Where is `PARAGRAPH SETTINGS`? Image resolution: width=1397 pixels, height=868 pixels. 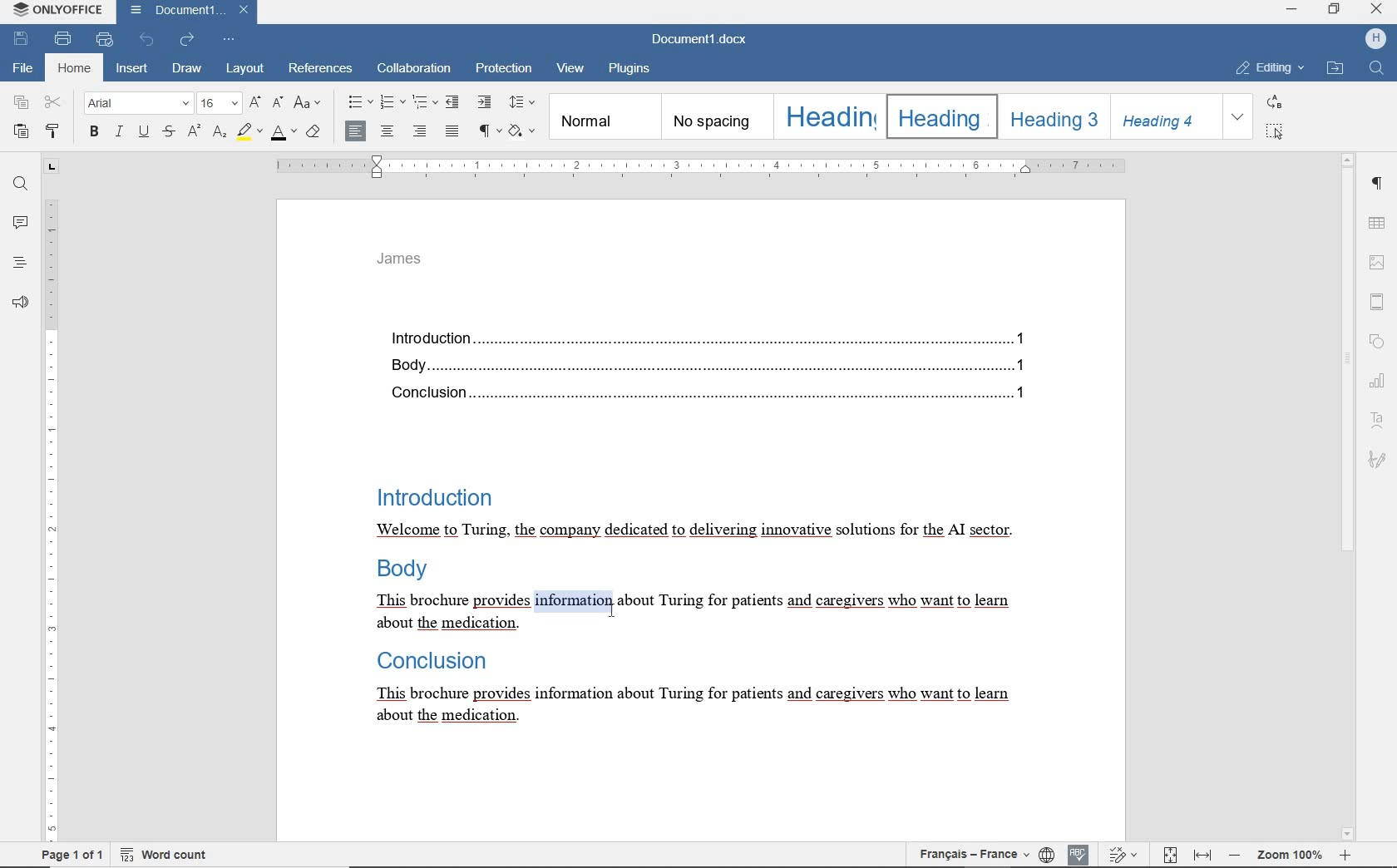
PARAGRAPH SETTINGS is located at coordinates (1379, 182).